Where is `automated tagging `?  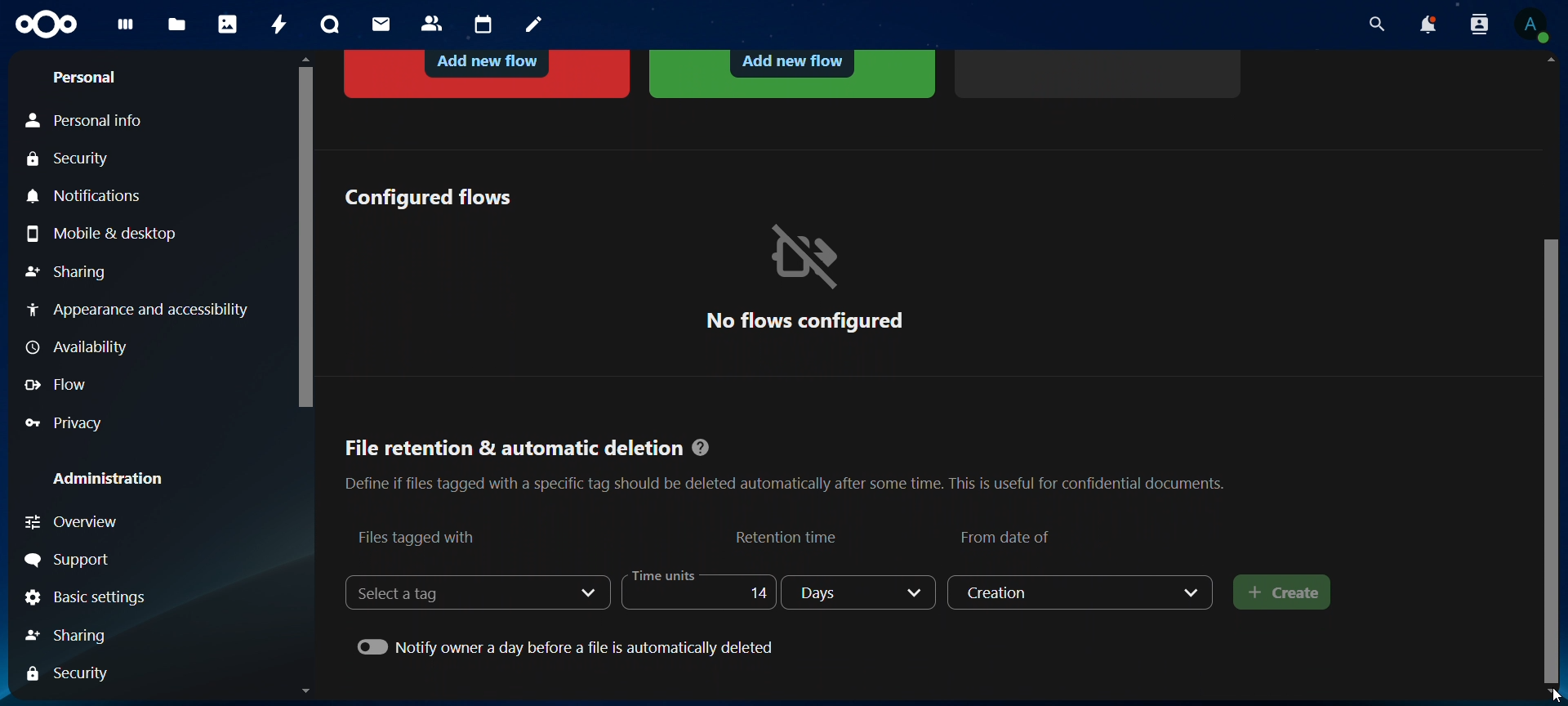 automated tagging  is located at coordinates (792, 73).